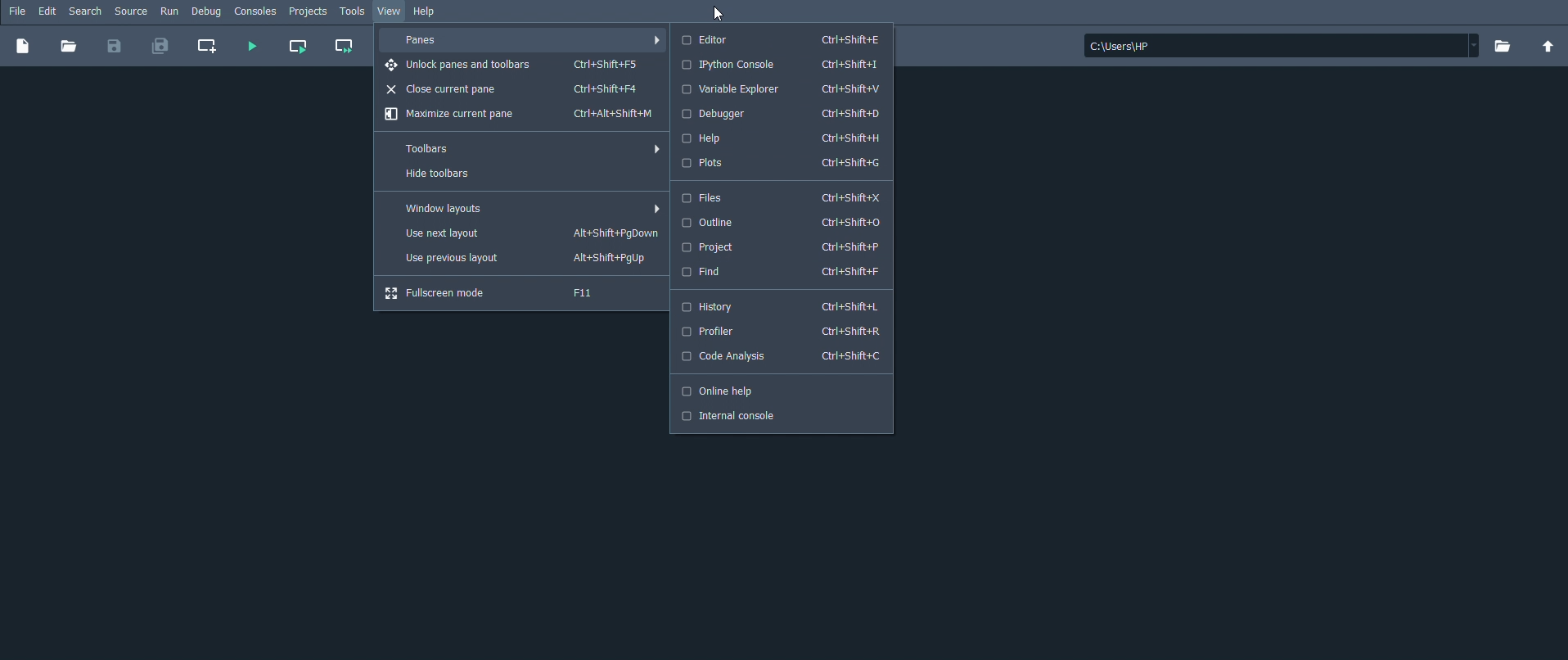 This screenshot has height=660, width=1568. Describe the element at coordinates (719, 14) in the screenshot. I see `Cursor` at that location.